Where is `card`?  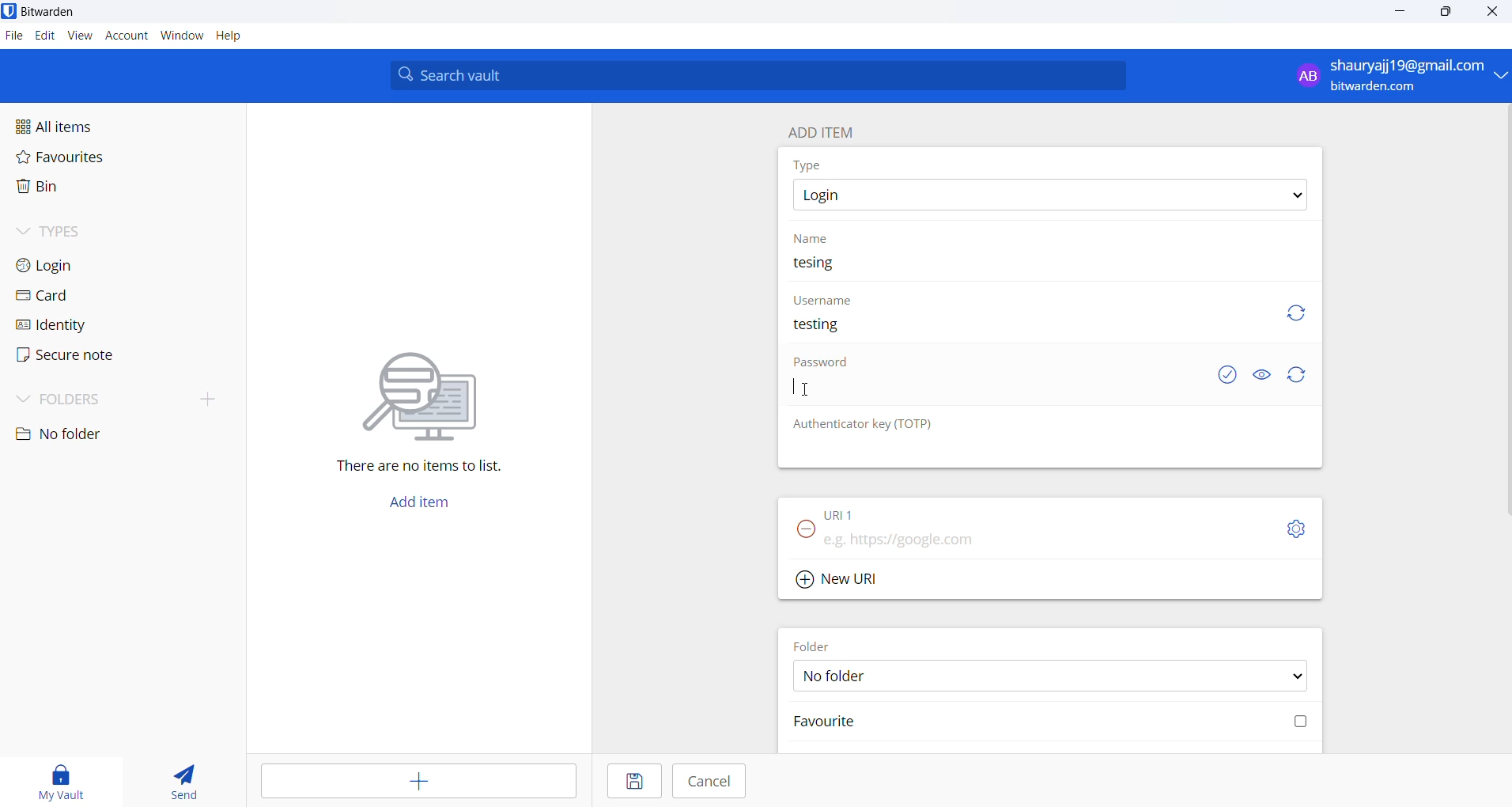 card is located at coordinates (89, 296).